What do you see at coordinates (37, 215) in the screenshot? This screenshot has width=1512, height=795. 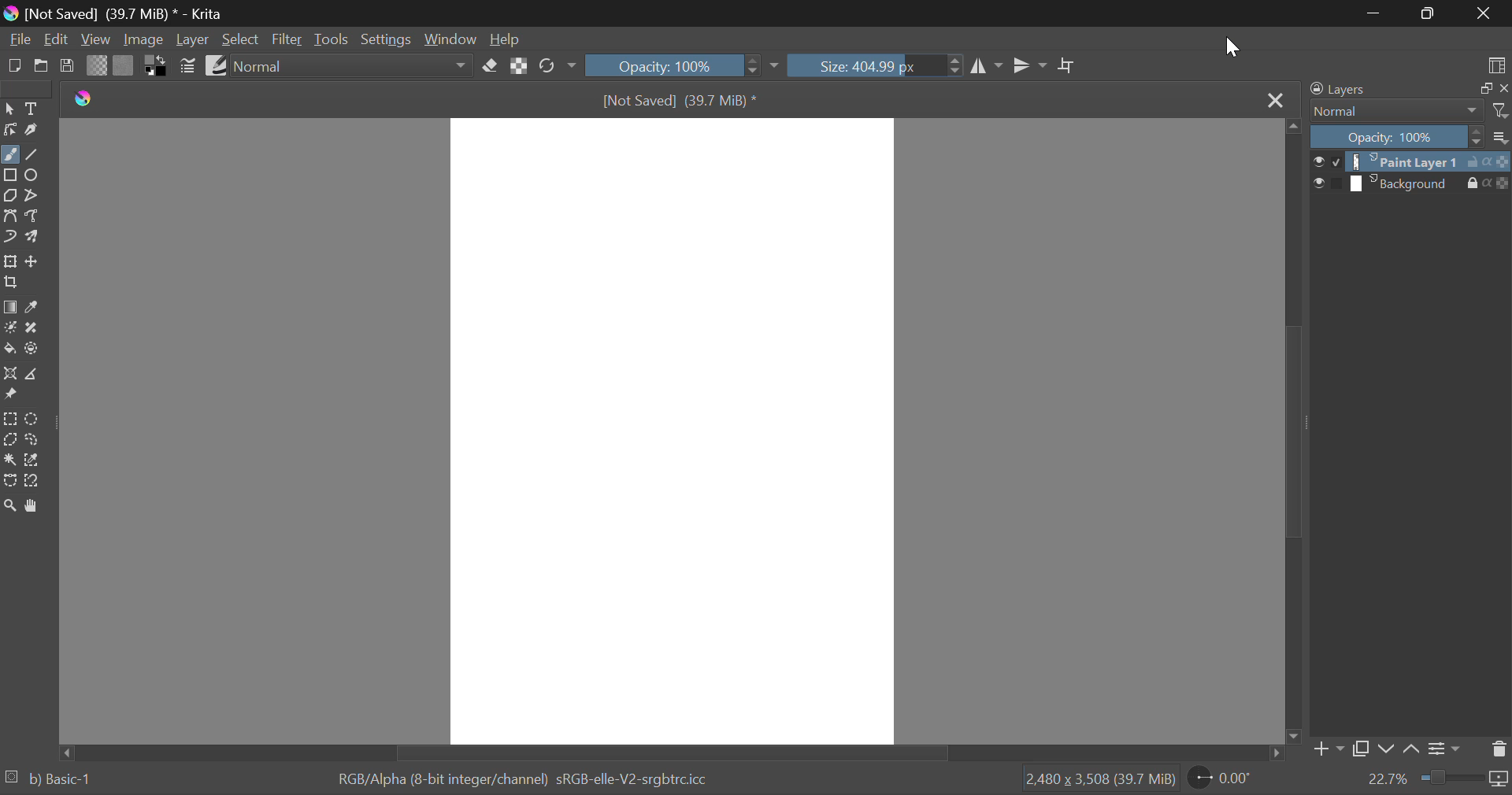 I see `Freehand Path Tools` at bounding box center [37, 215].